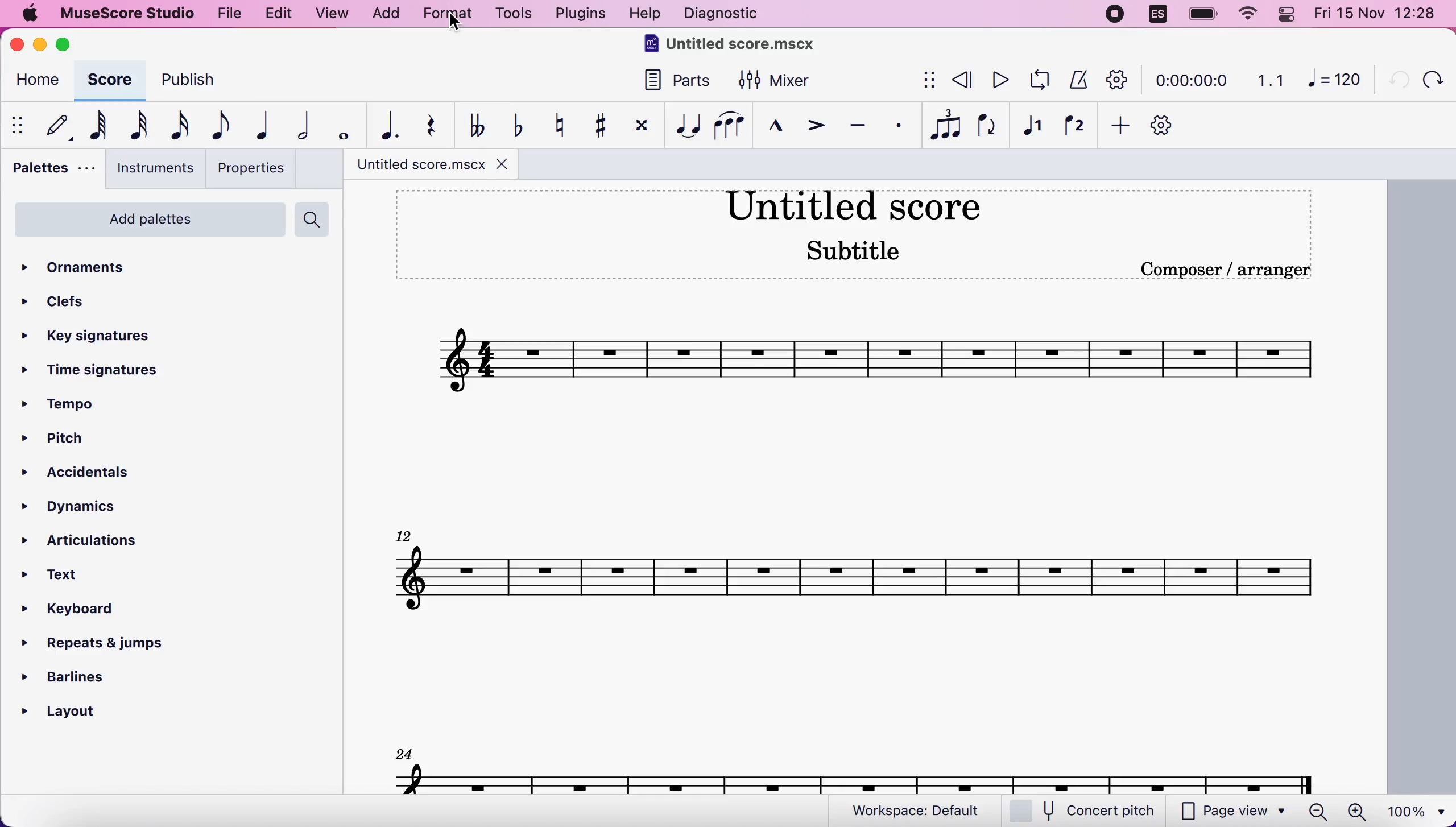 The image size is (1456, 827). What do you see at coordinates (227, 12) in the screenshot?
I see `file` at bounding box center [227, 12].